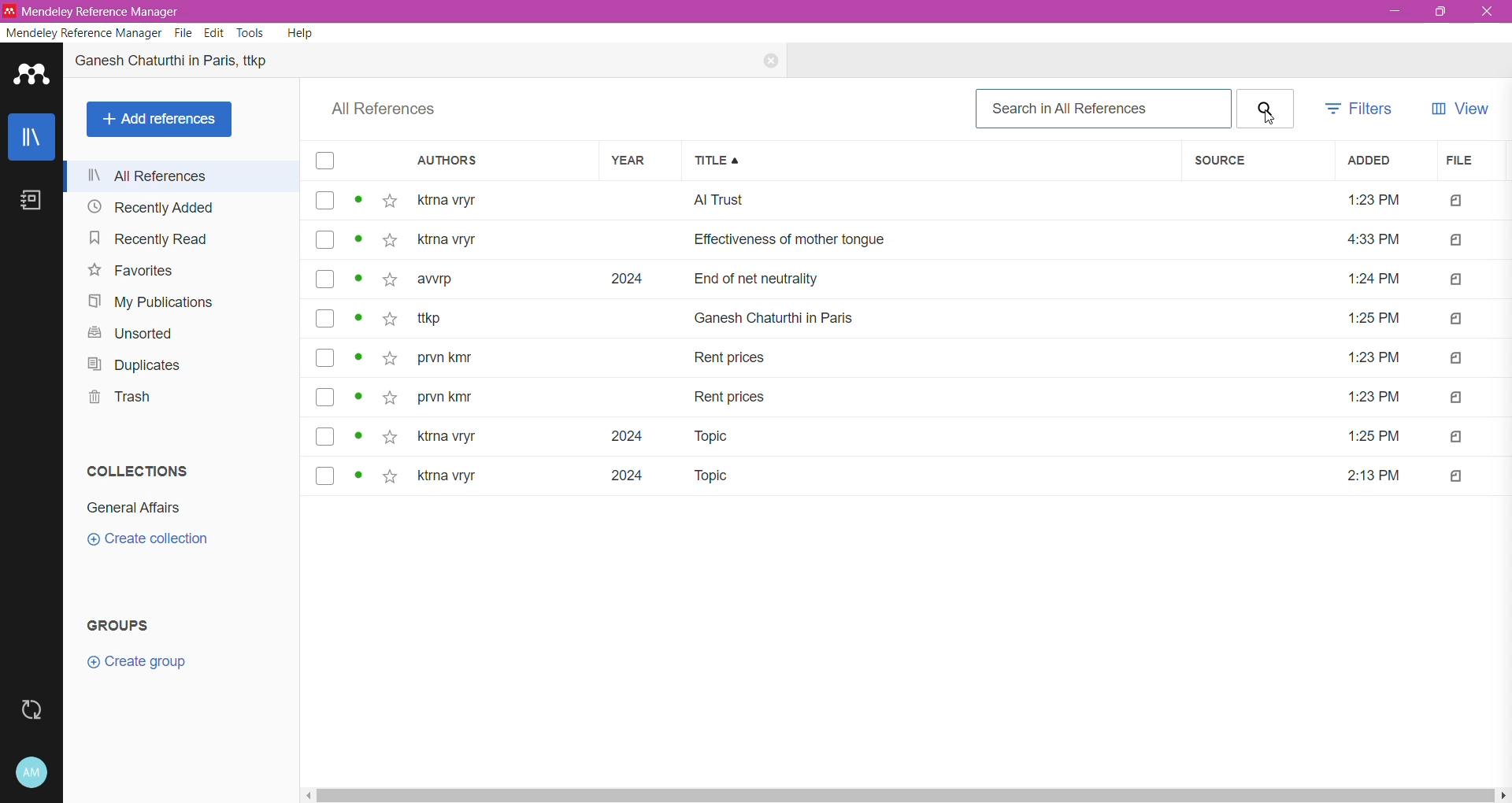 The height and width of the screenshot is (803, 1512). I want to click on Last Sync, so click(31, 711).